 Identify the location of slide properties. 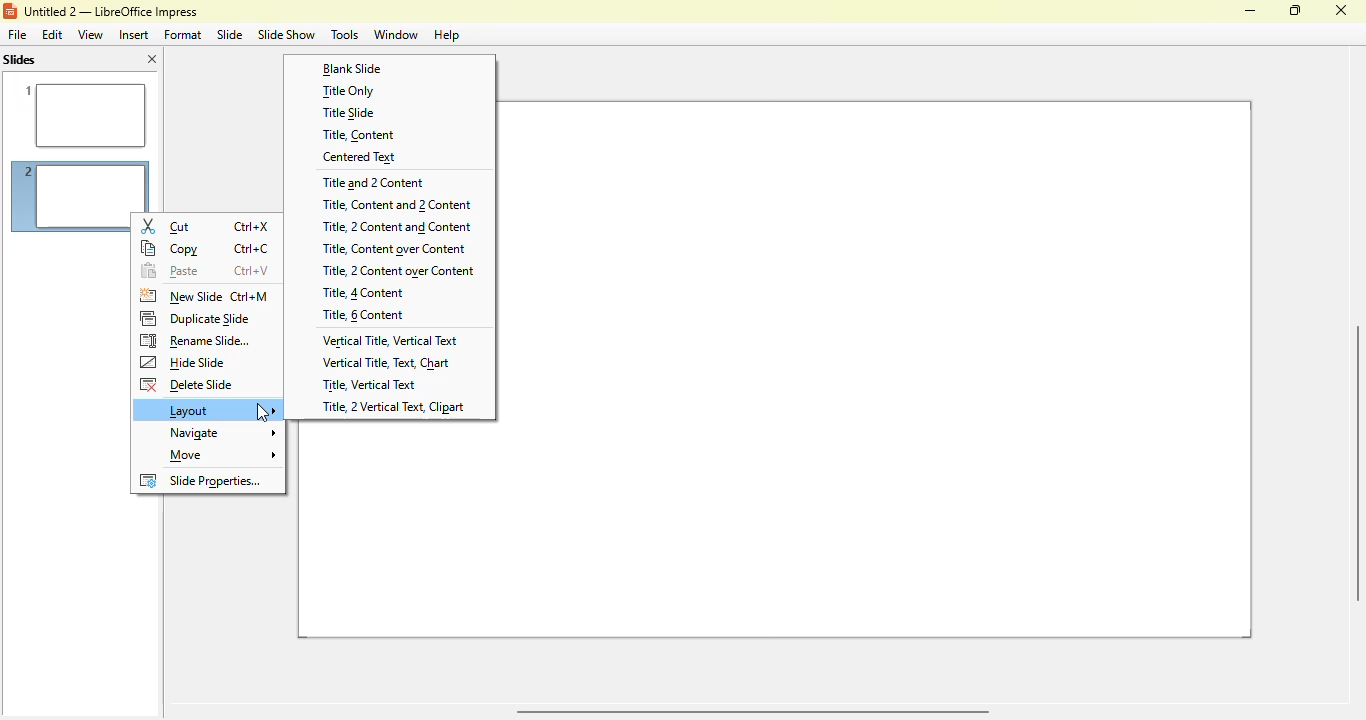
(198, 480).